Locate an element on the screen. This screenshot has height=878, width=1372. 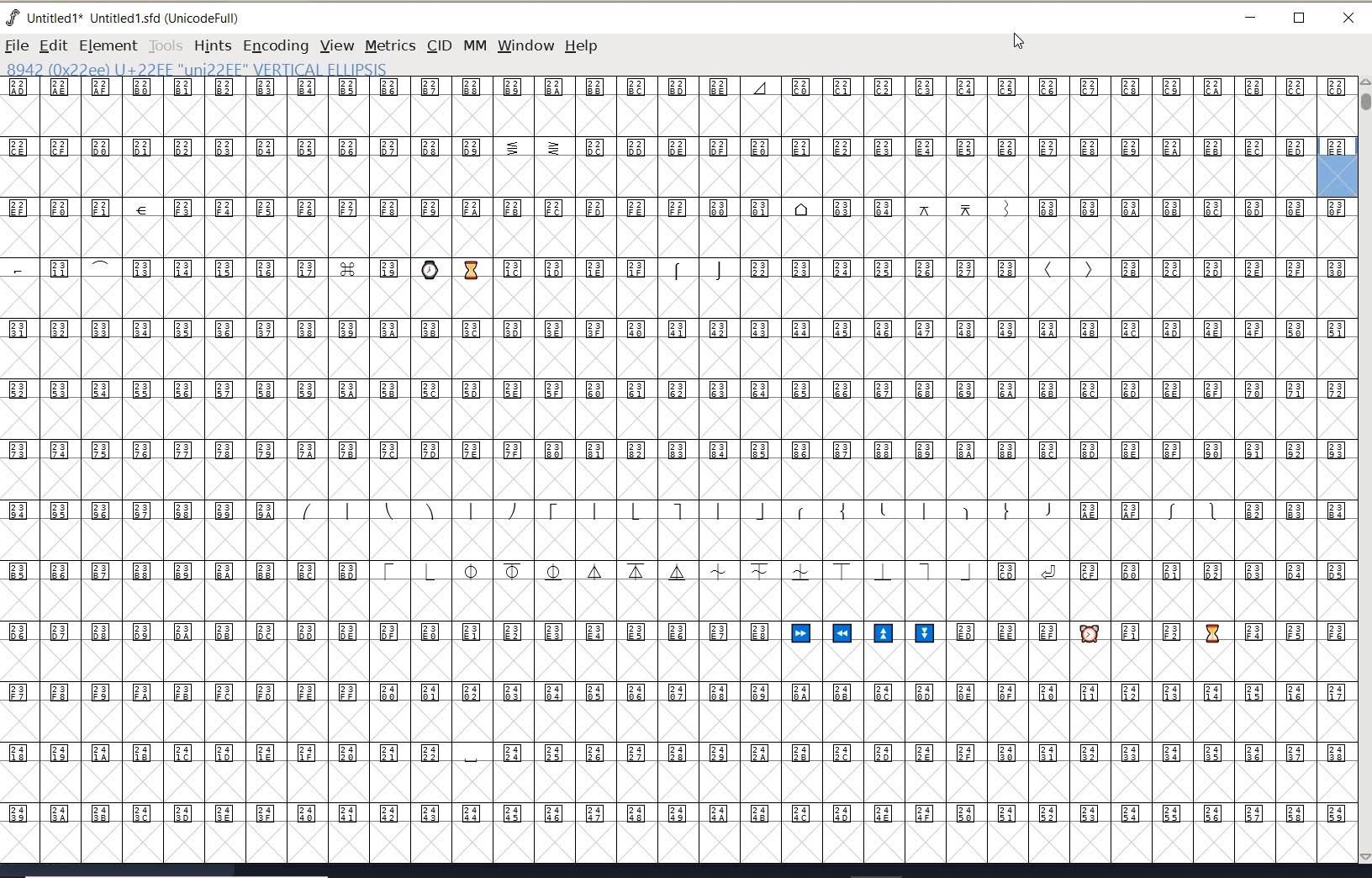
ENCODING is located at coordinates (276, 46).